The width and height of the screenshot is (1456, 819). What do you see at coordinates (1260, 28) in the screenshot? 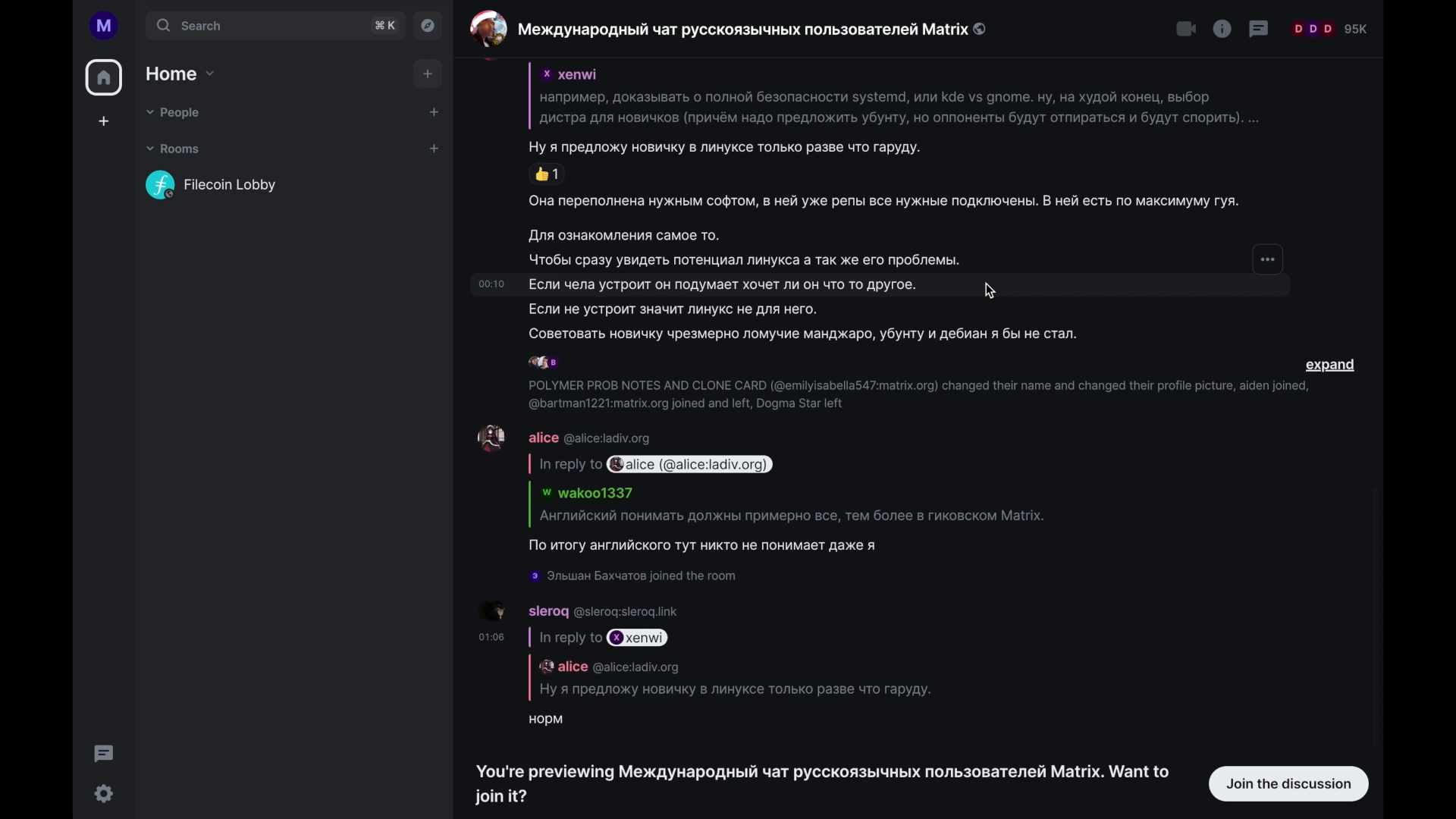
I see `threads` at bounding box center [1260, 28].